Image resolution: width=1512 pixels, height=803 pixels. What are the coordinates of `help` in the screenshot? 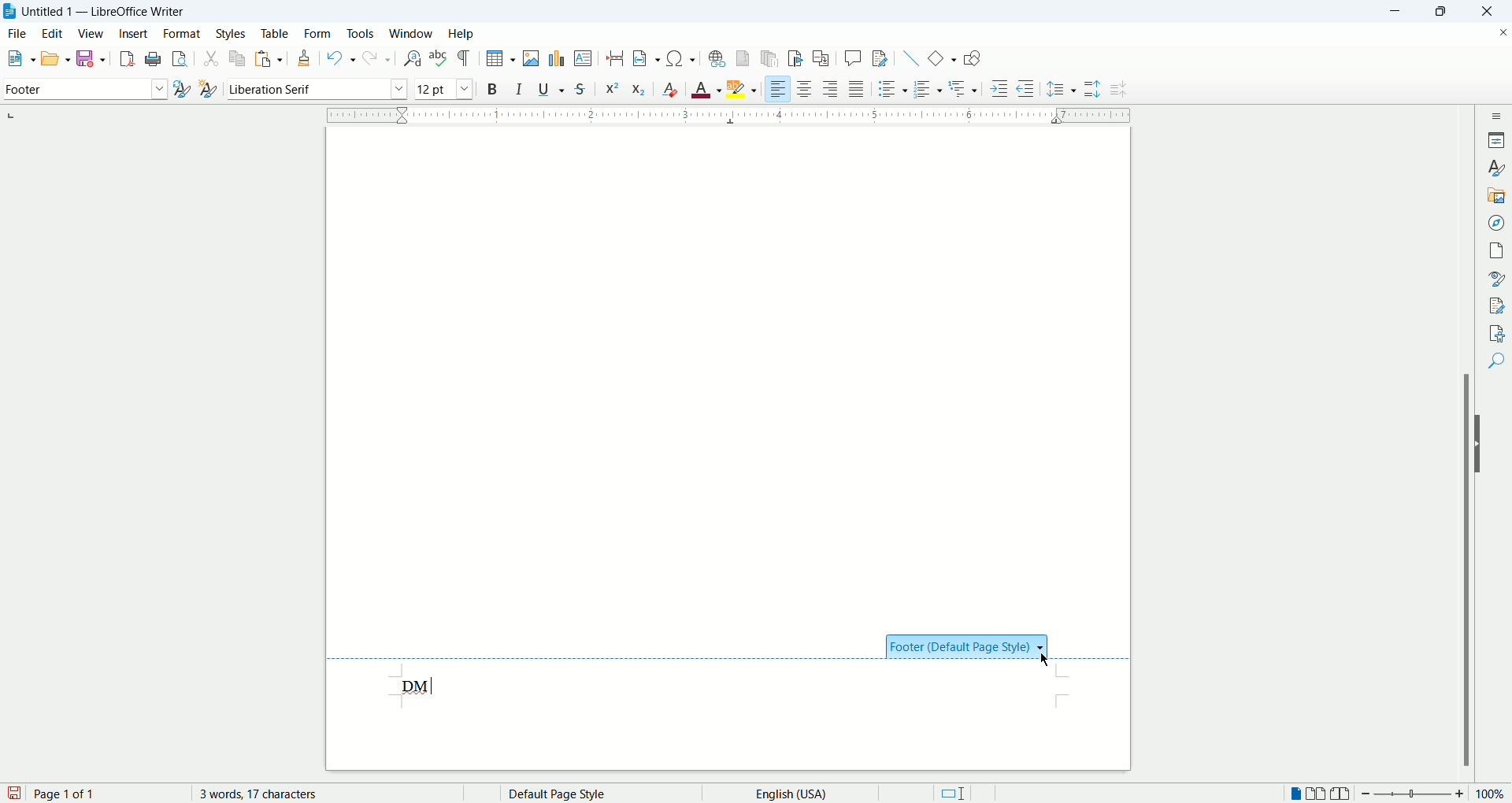 It's located at (461, 34).